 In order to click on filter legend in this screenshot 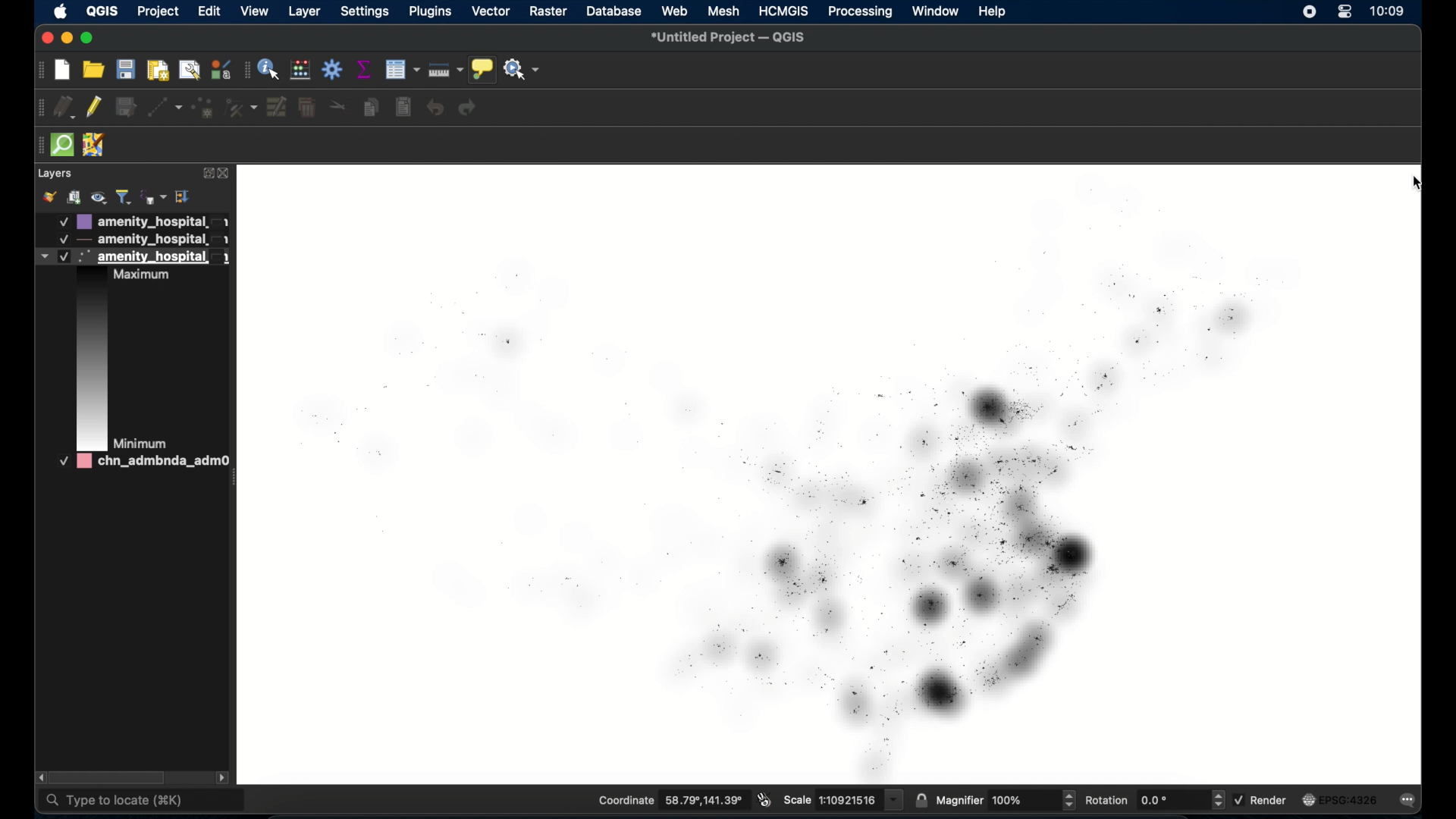, I will do `click(124, 197)`.